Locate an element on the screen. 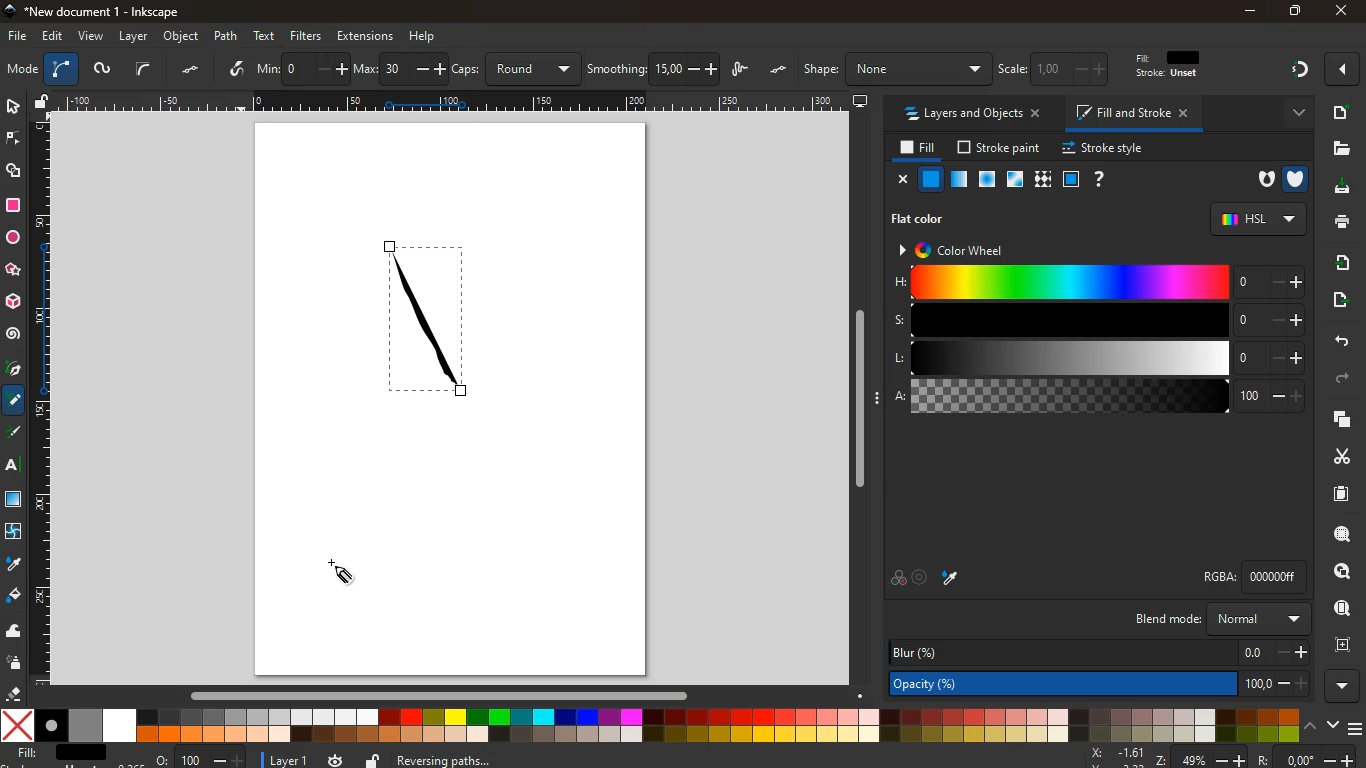  square is located at coordinates (13, 207).